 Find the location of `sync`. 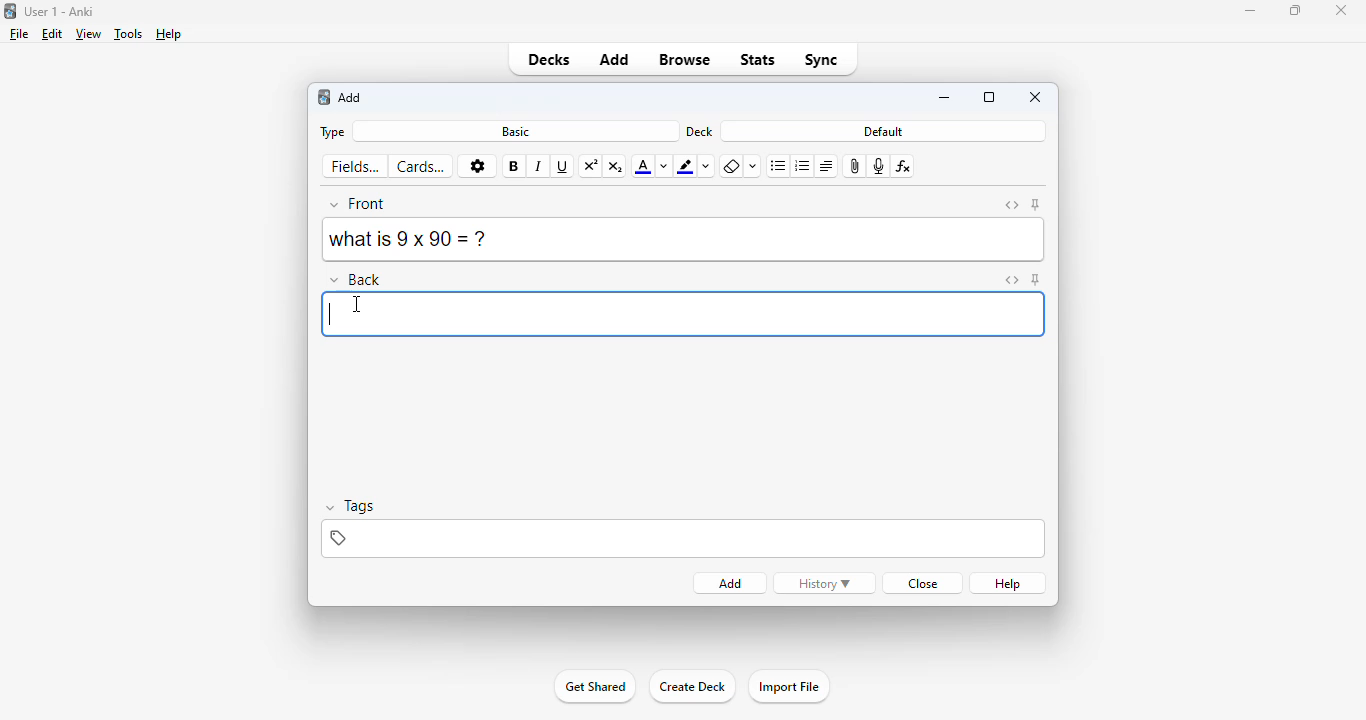

sync is located at coordinates (822, 59).